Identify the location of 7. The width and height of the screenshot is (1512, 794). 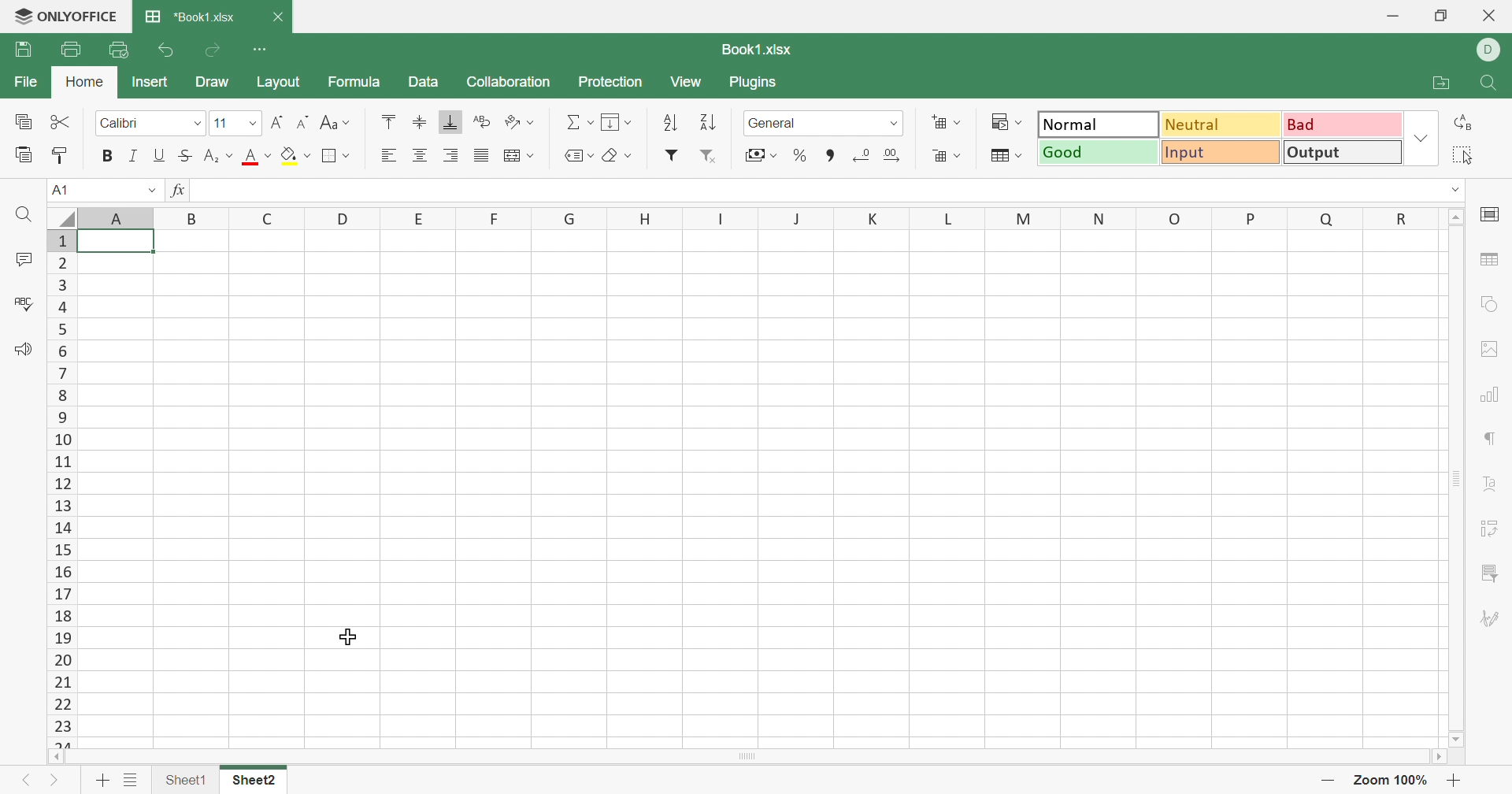
(62, 374).